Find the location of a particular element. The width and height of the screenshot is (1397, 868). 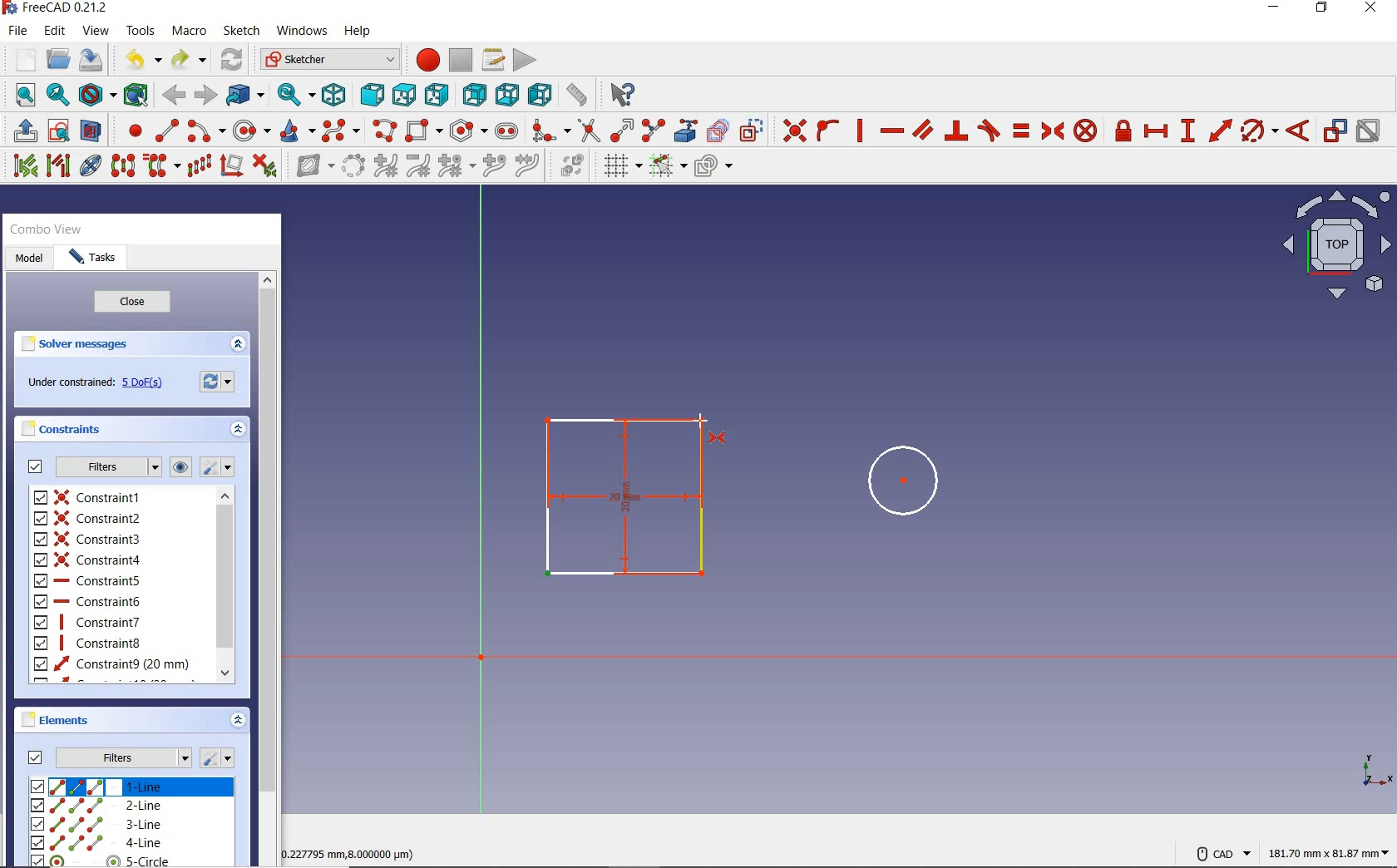

view section is located at coordinates (92, 129).